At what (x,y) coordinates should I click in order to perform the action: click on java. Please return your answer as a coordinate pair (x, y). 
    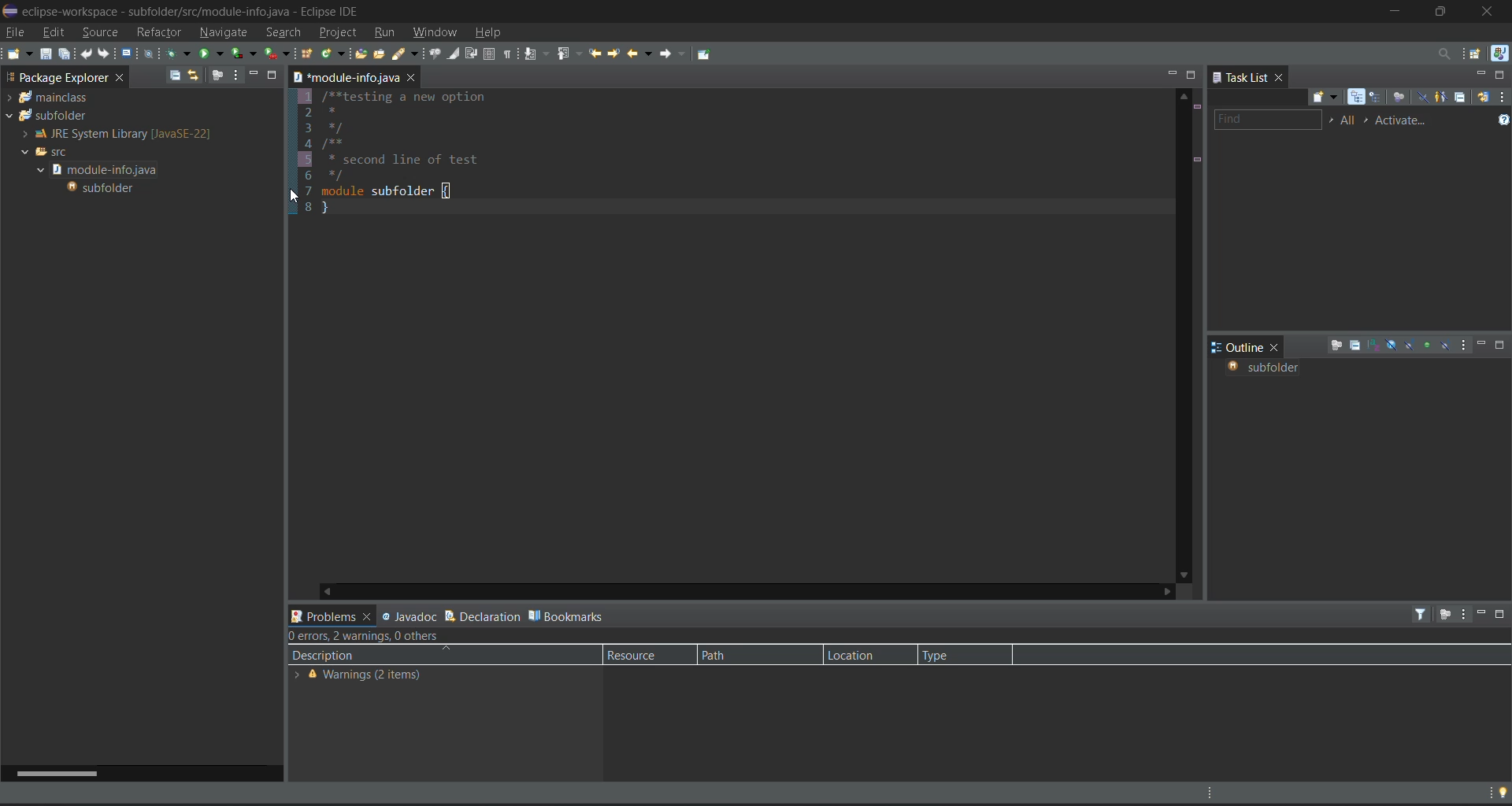
    Looking at the image, I should click on (1499, 54).